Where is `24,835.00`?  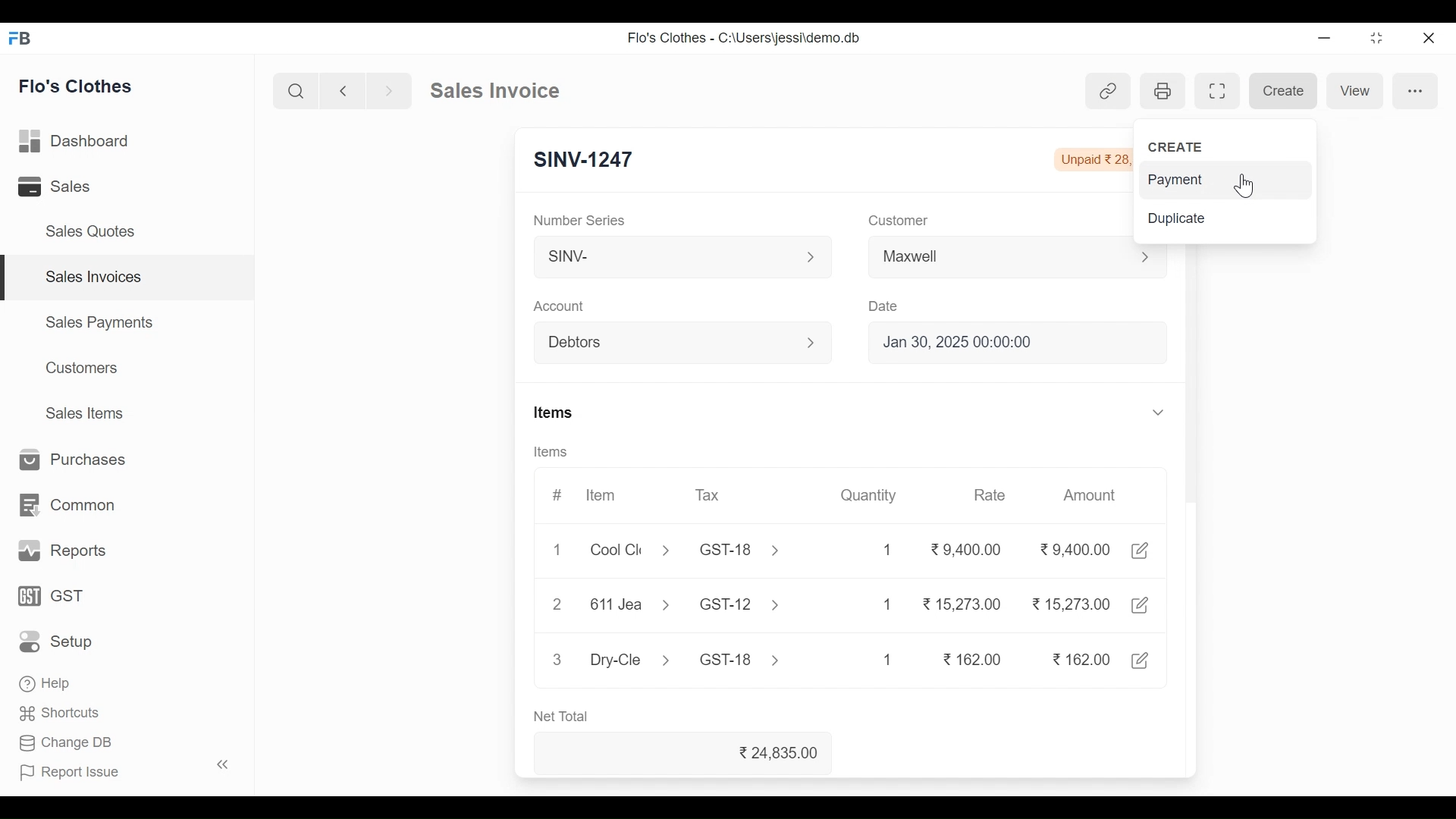
24,835.00 is located at coordinates (783, 753).